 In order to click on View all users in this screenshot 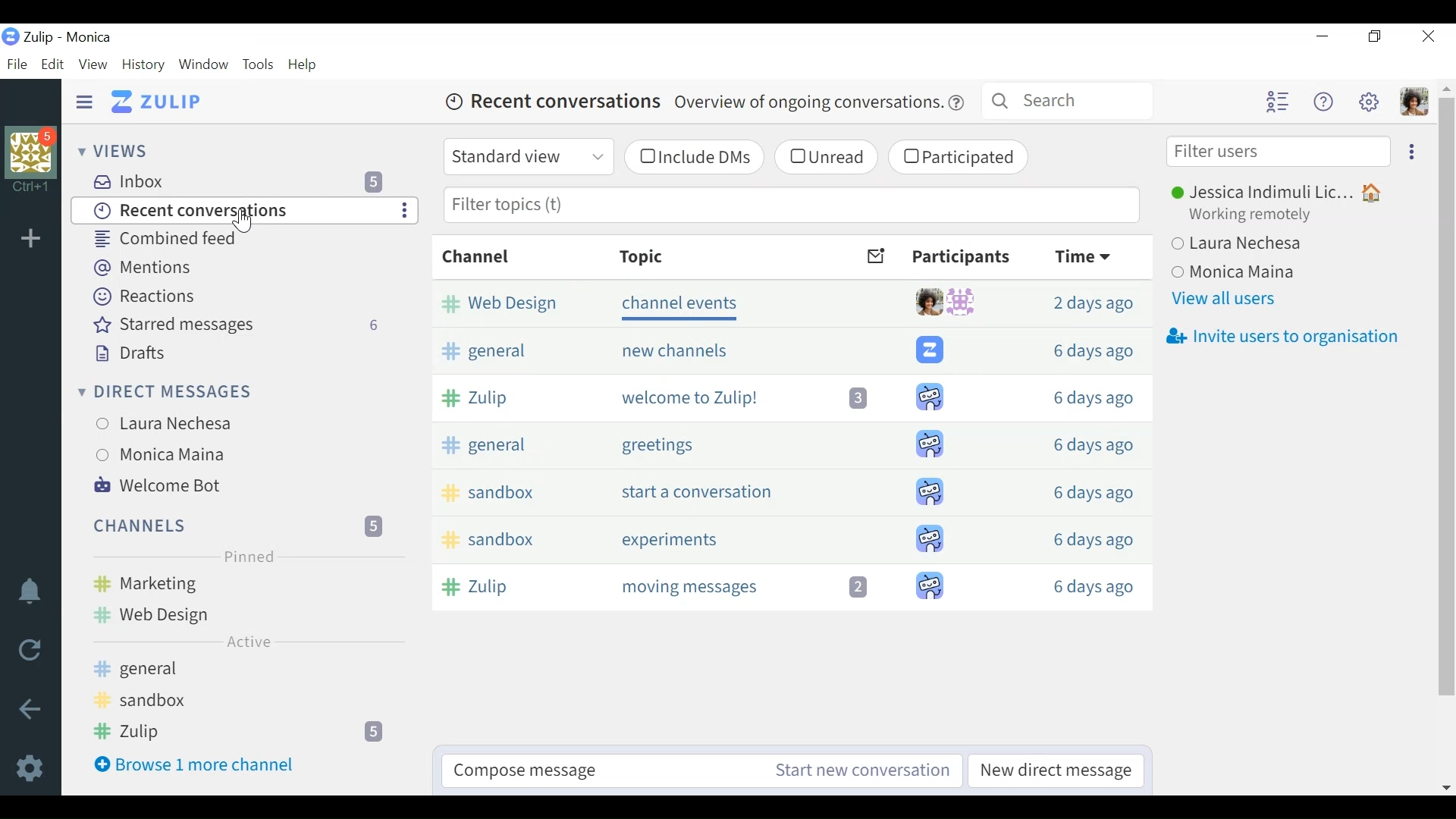, I will do `click(1230, 302)`.